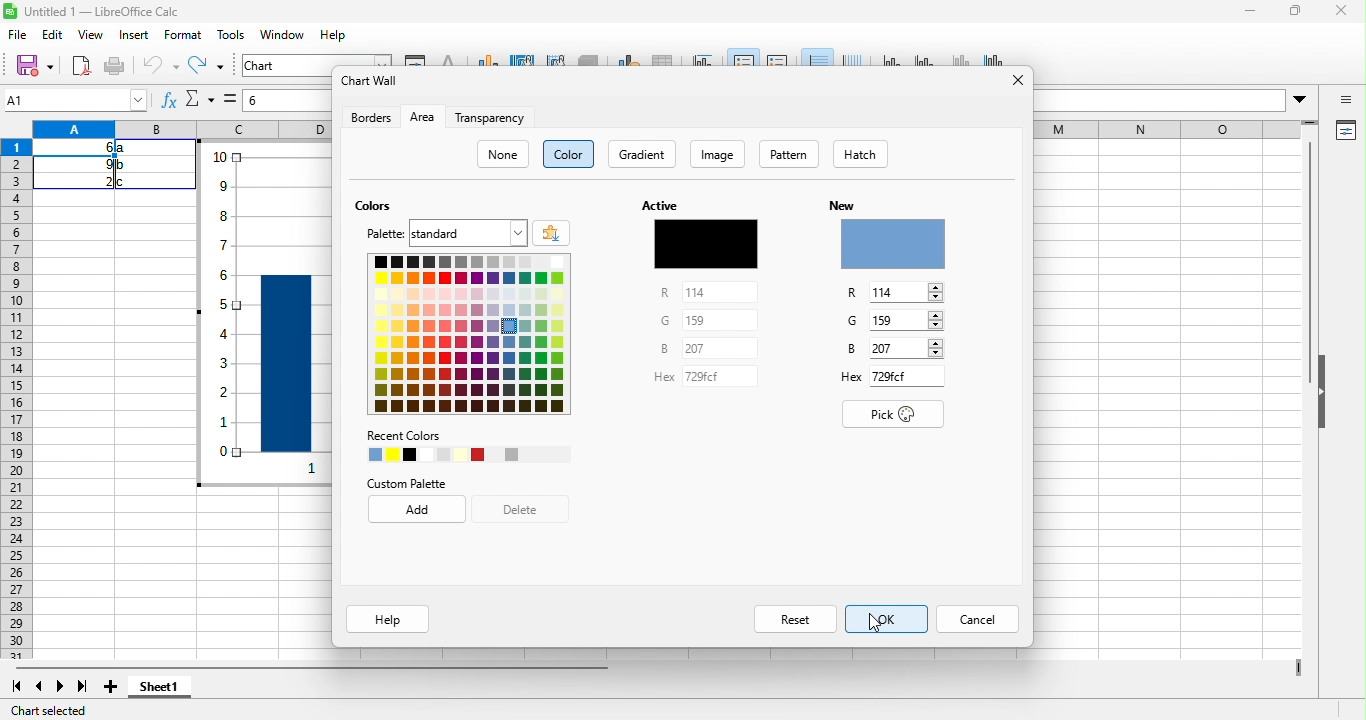 This screenshot has width=1366, height=720. I want to click on 297, so click(696, 348).